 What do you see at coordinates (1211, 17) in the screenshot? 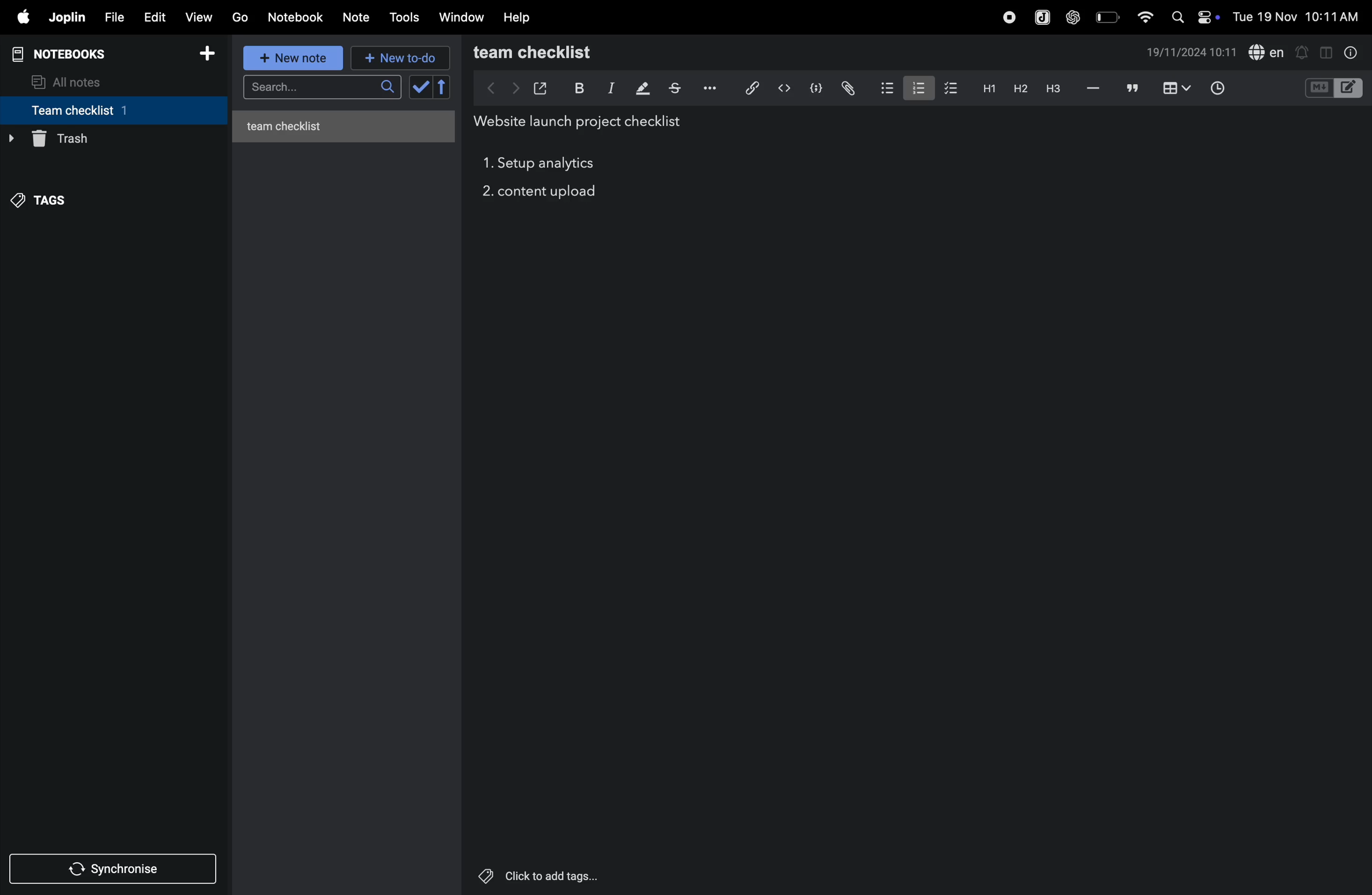
I see `on/off` at bounding box center [1211, 17].